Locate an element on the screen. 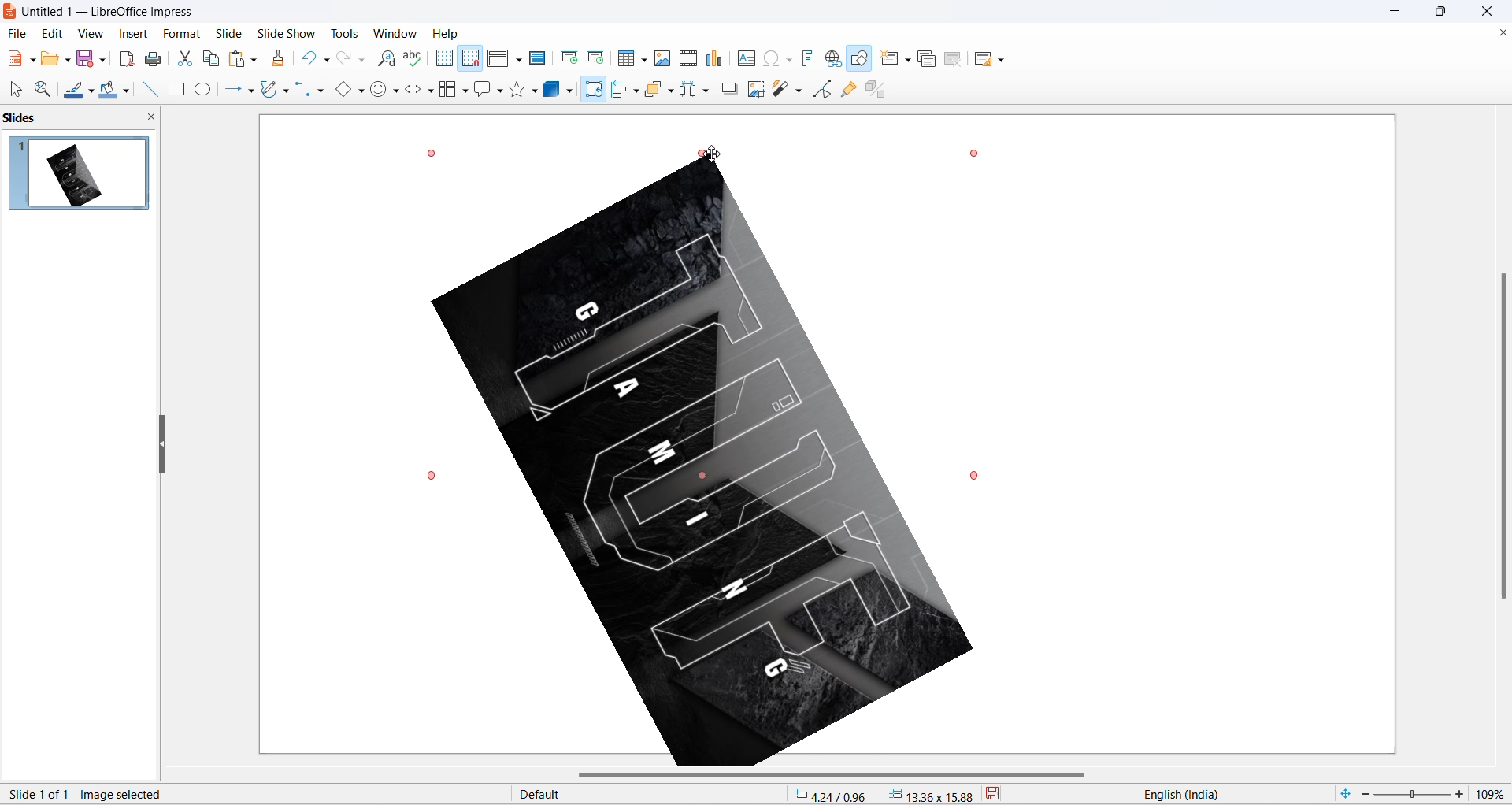 The height and width of the screenshot is (805, 1512). line and arrows options is located at coordinates (250, 91).